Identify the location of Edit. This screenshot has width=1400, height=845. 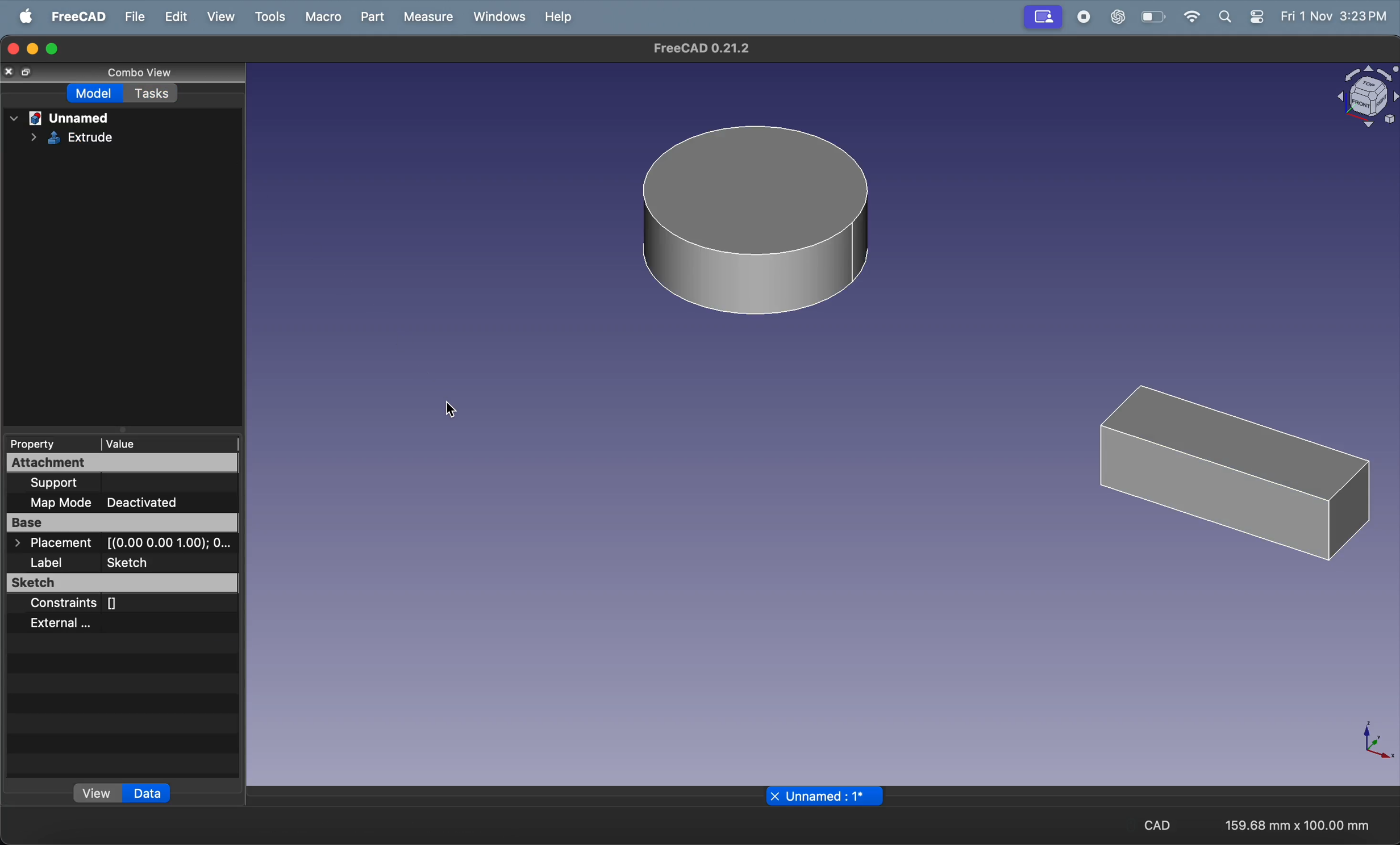
(176, 16).